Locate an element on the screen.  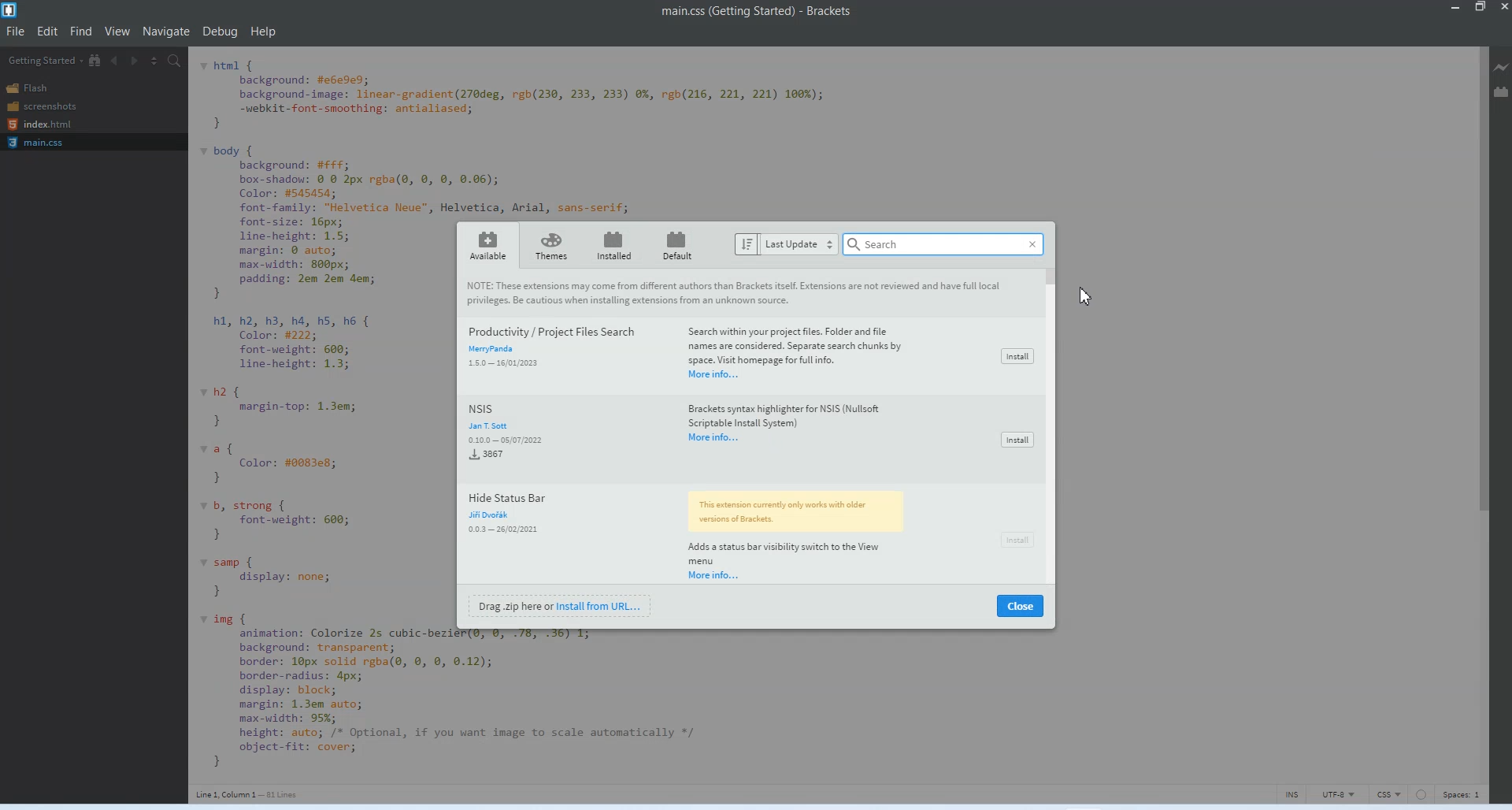
Hide Status Bar is located at coordinates (710, 533).